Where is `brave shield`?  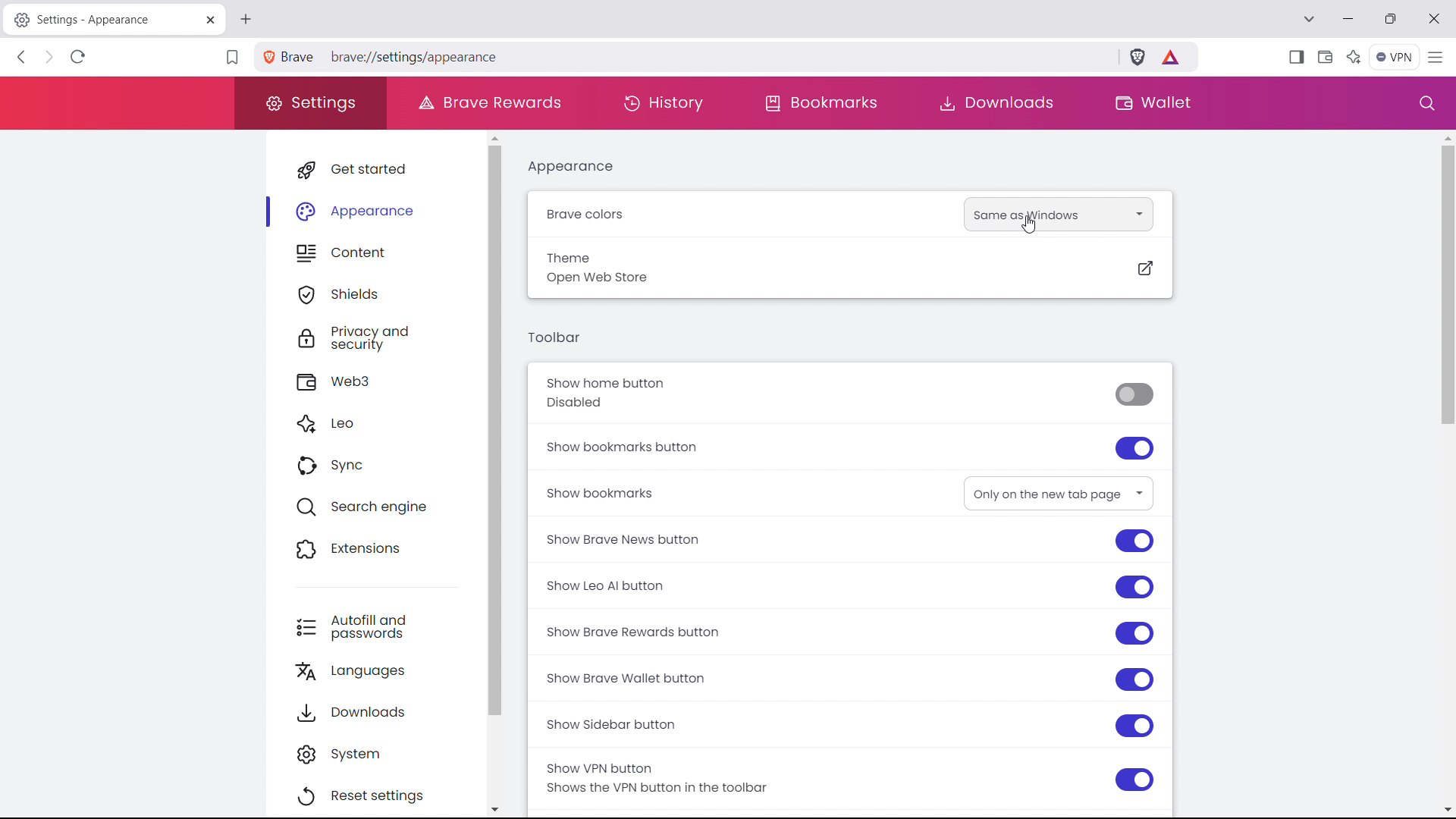 brave shield is located at coordinates (1137, 58).